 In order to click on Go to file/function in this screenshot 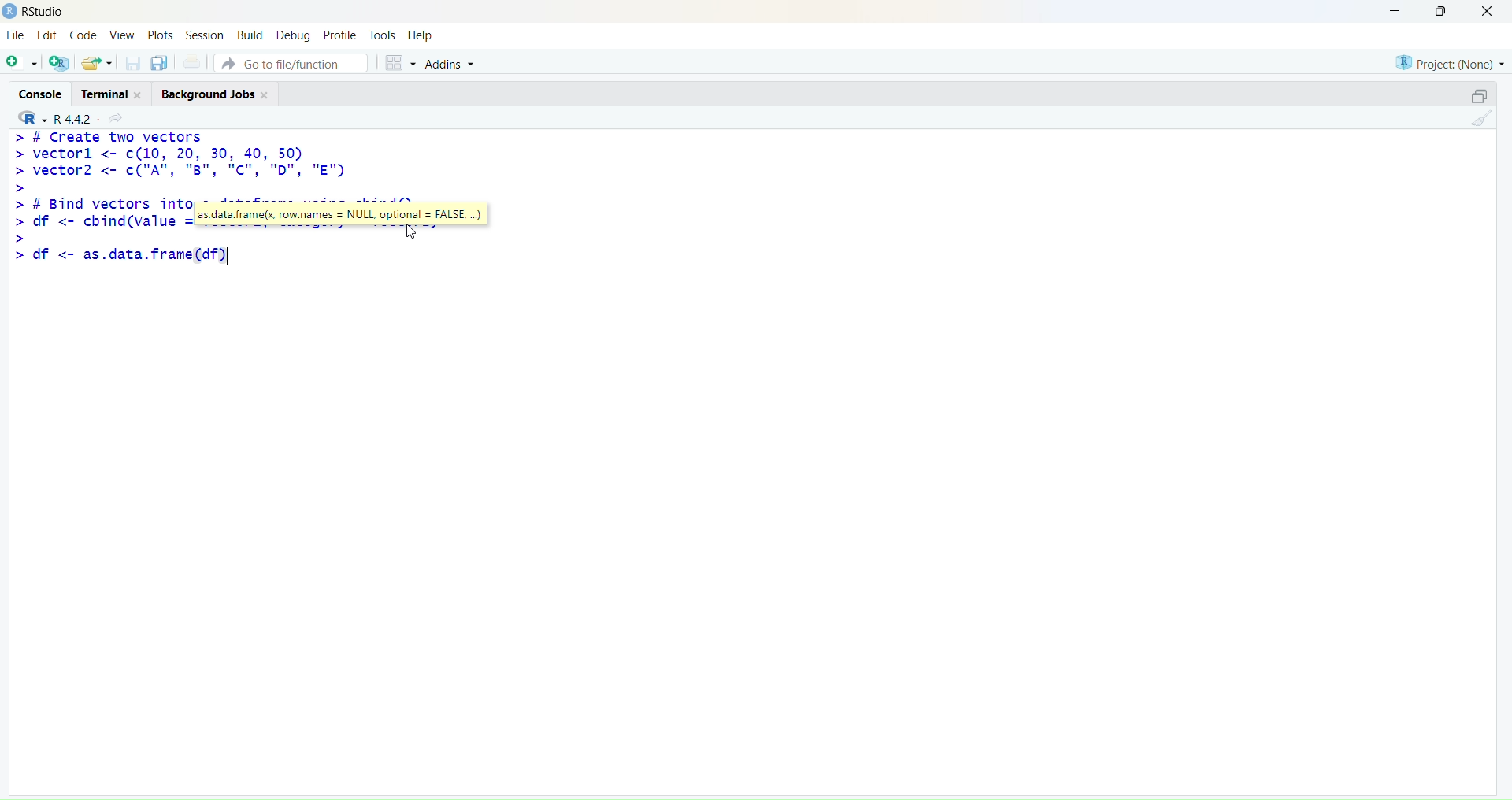, I will do `click(291, 63)`.